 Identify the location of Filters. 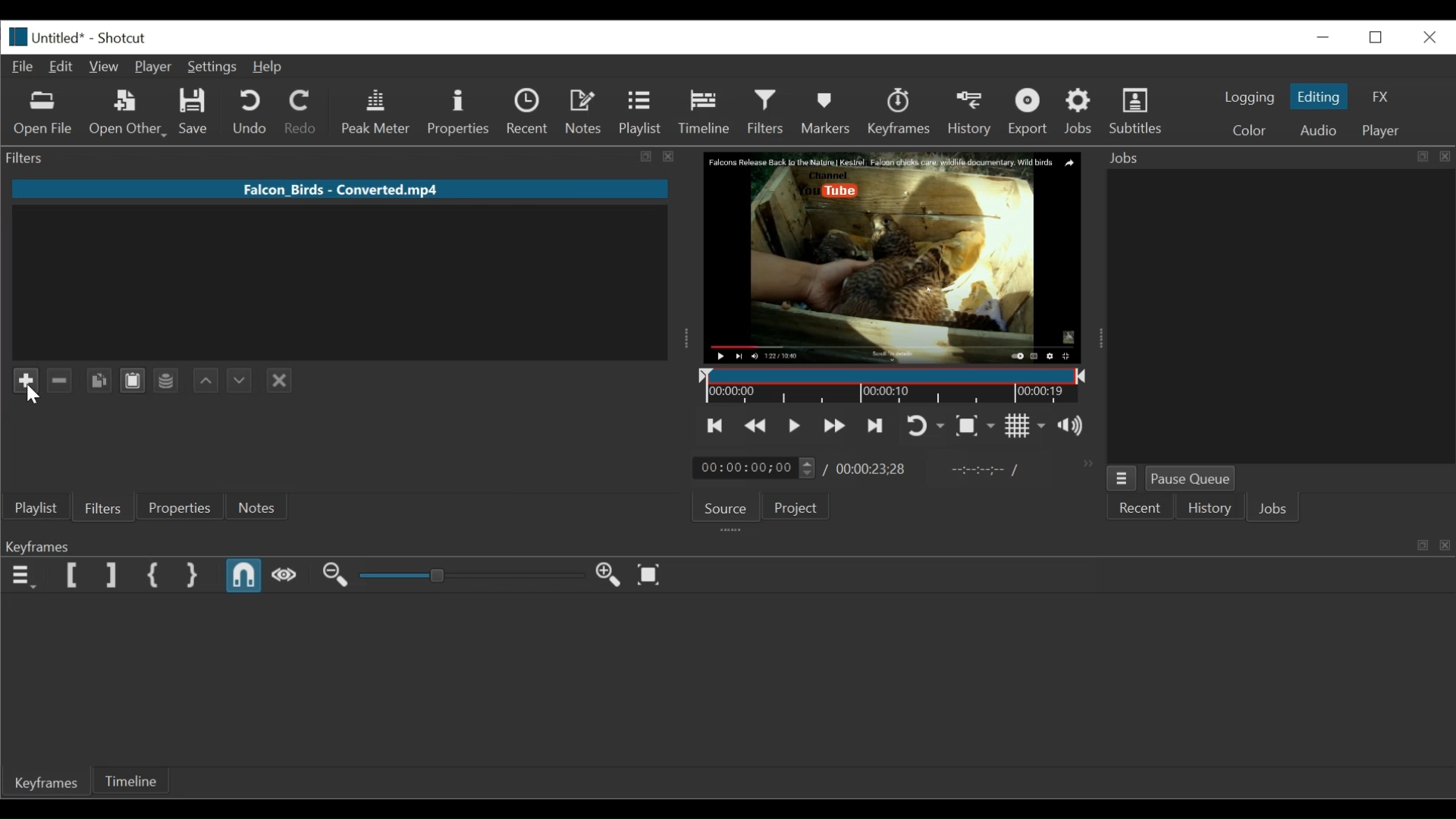
(766, 114).